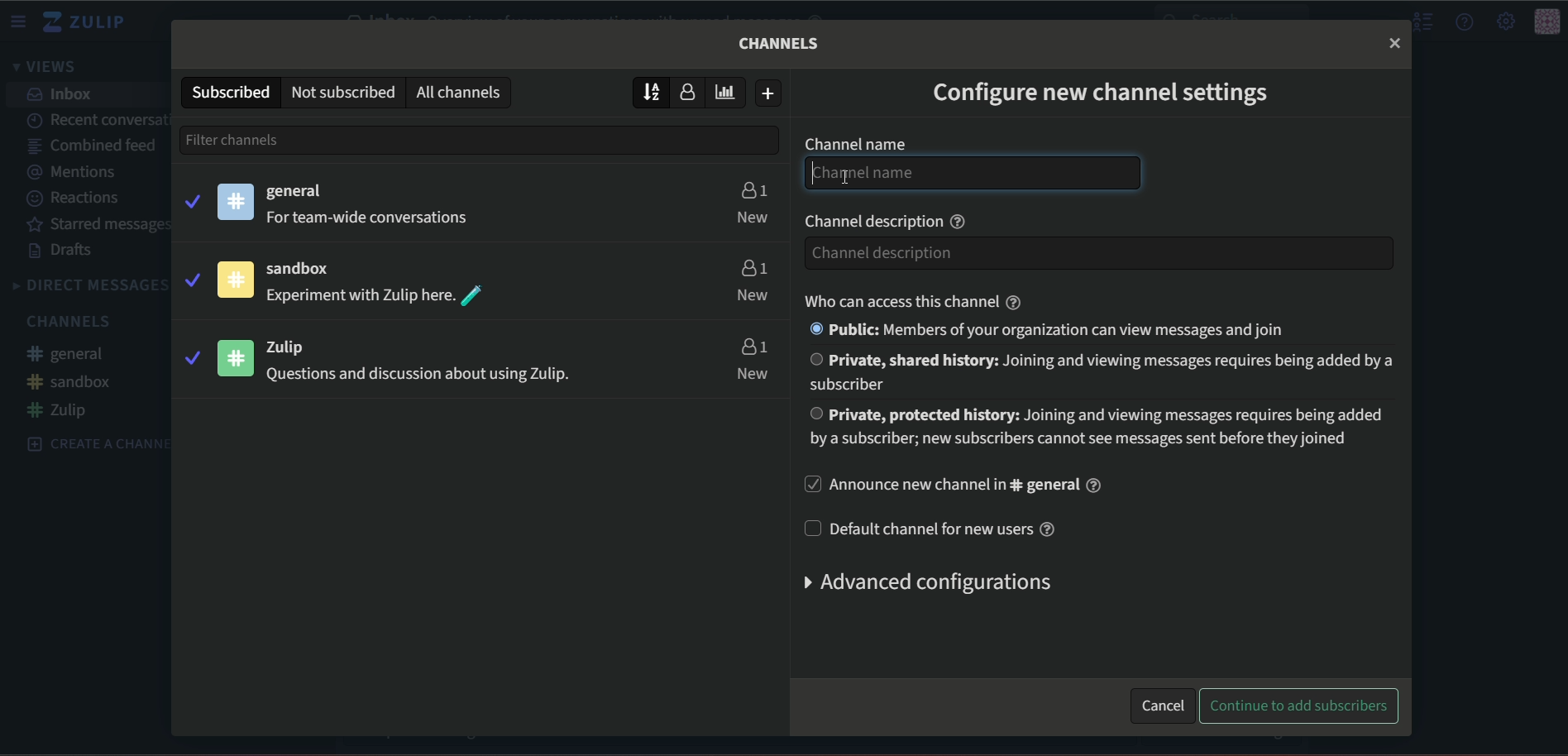 Image resolution: width=1568 pixels, height=756 pixels. What do you see at coordinates (235, 280) in the screenshot?
I see `icon` at bounding box center [235, 280].